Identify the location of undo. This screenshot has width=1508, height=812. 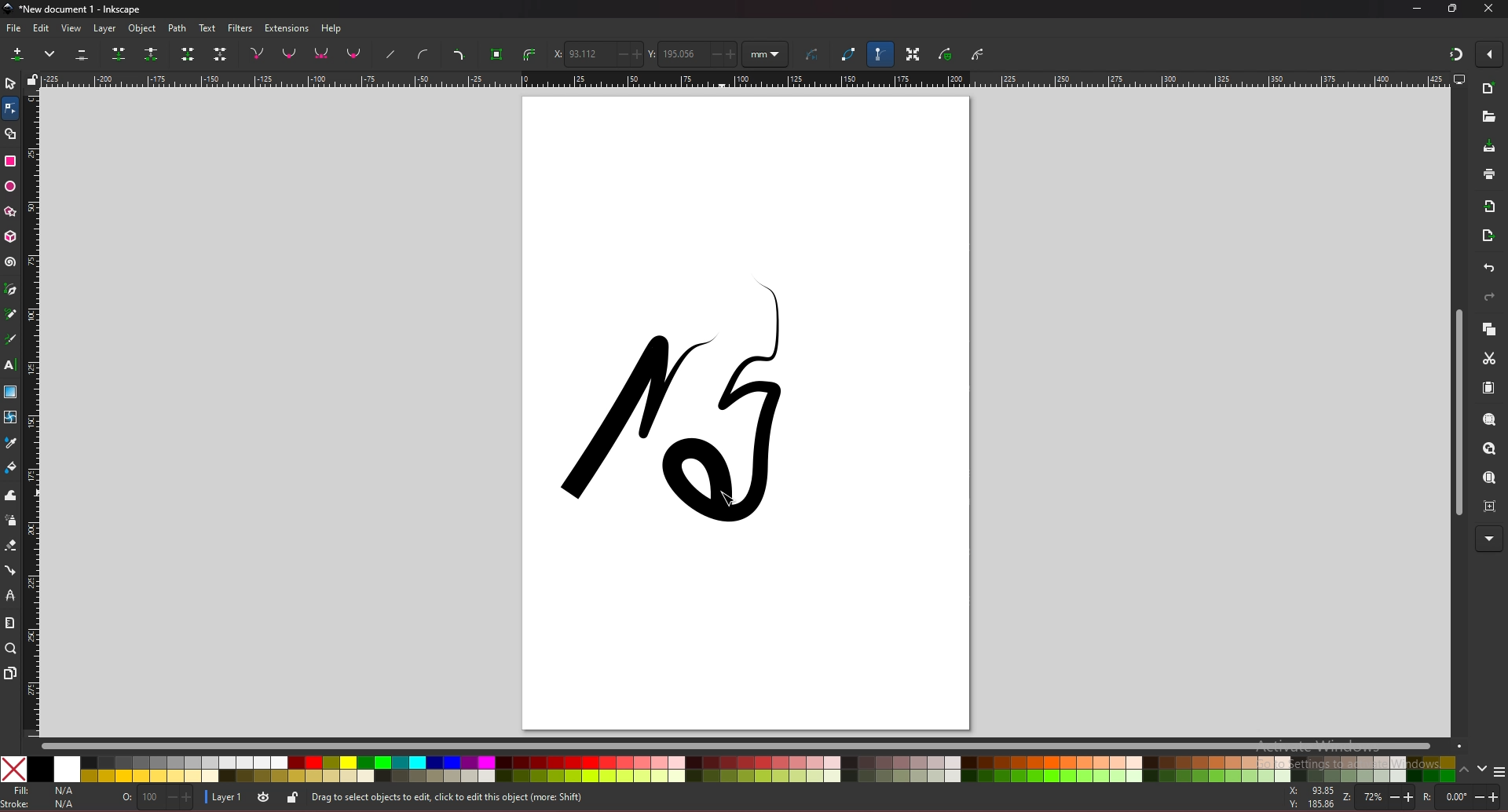
(1490, 268).